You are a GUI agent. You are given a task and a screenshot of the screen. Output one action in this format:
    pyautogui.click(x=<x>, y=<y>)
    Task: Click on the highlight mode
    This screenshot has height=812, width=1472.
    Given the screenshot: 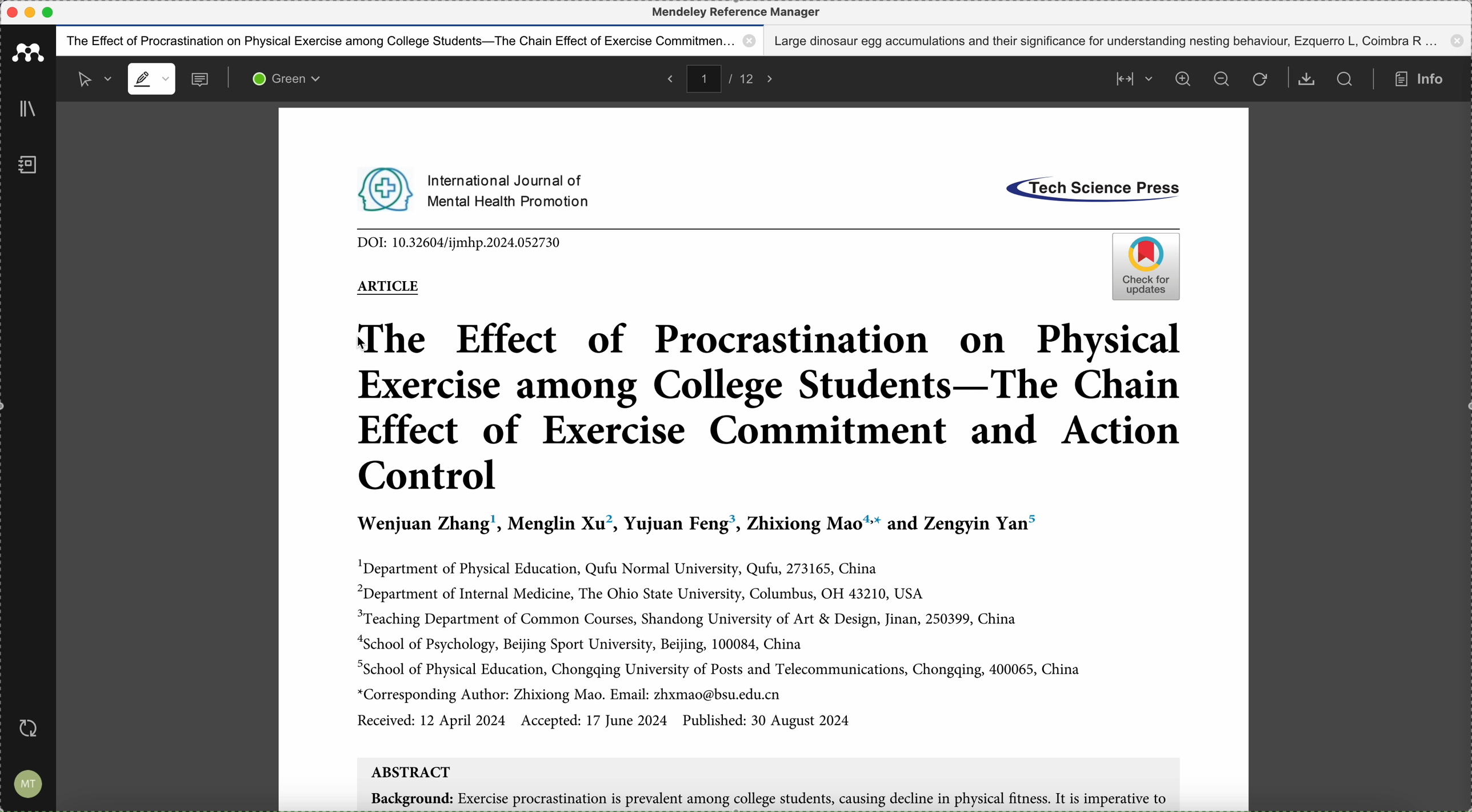 What is the action you would take?
    pyautogui.click(x=151, y=79)
    